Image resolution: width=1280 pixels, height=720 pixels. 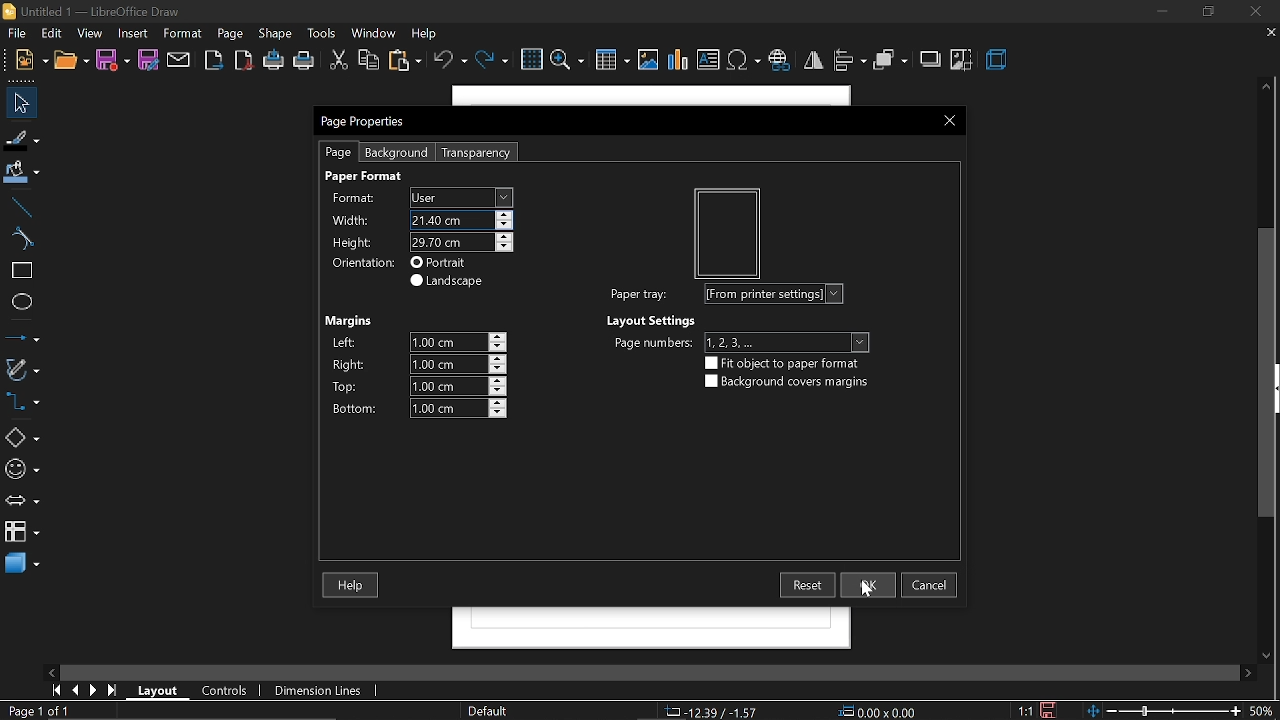 What do you see at coordinates (450, 61) in the screenshot?
I see `undo` at bounding box center [450, 61].